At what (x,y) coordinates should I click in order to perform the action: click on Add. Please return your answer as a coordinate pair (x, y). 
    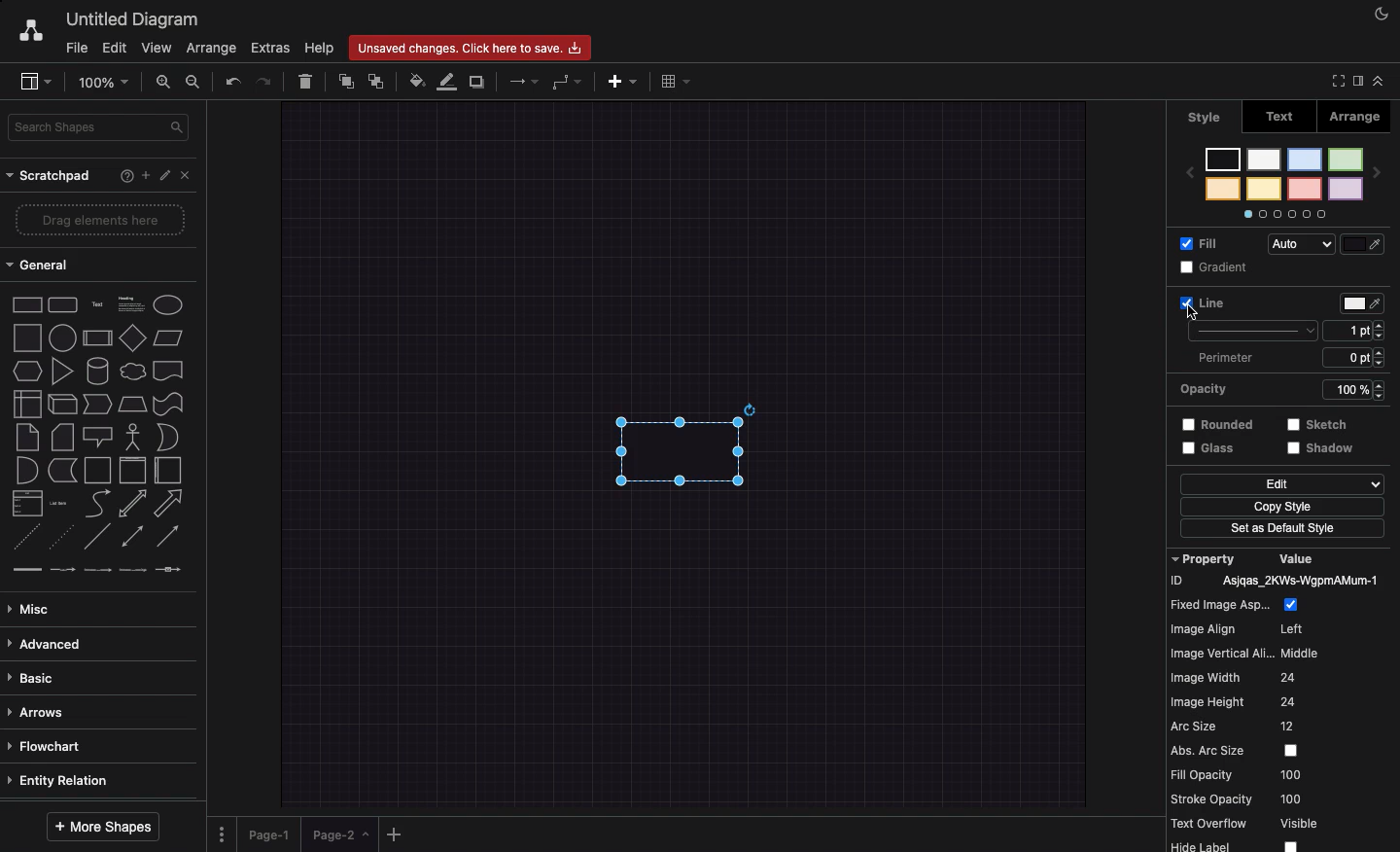
    Looking at the image, I should click on (142, 175).